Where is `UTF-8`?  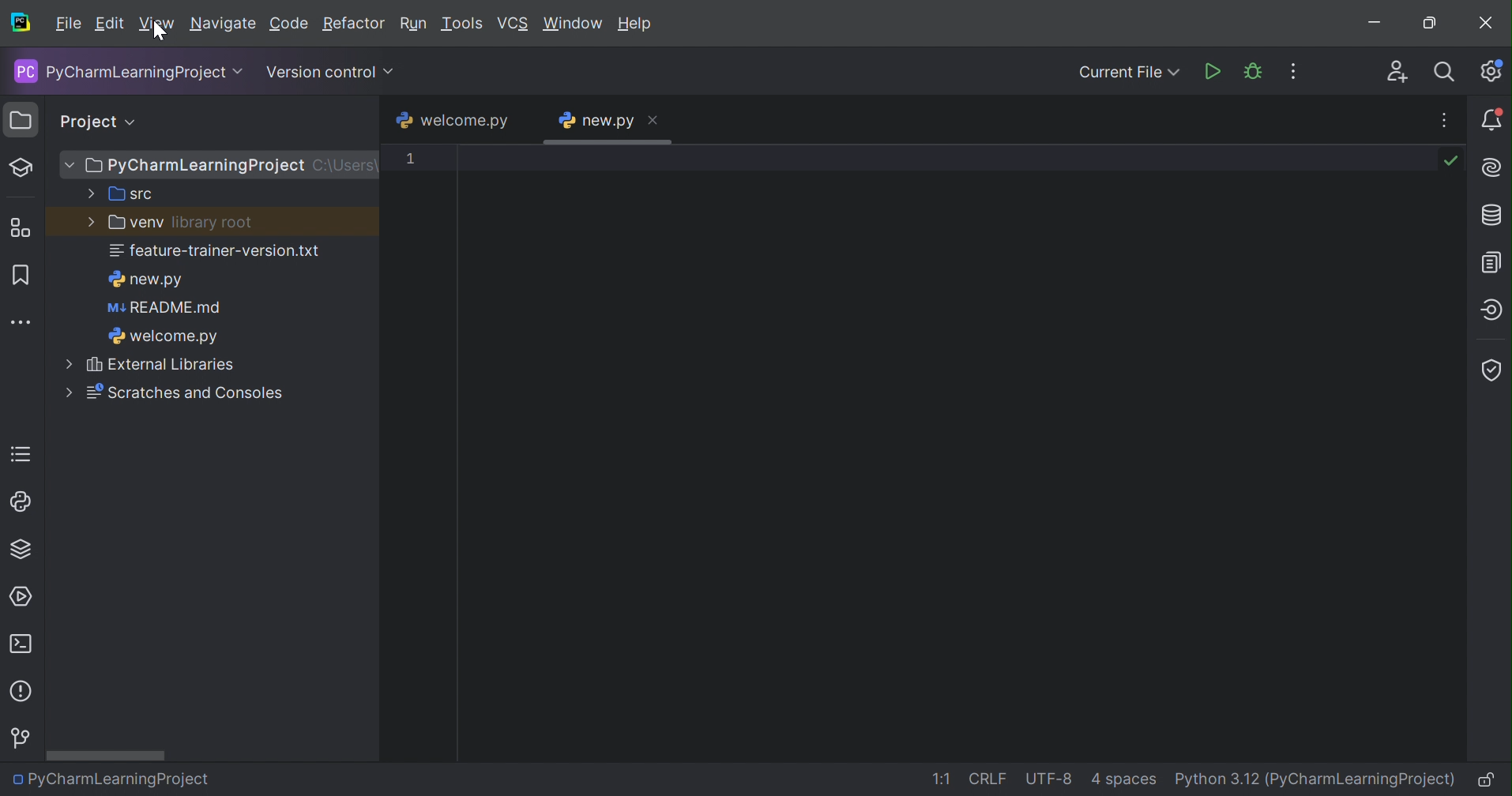
UTF-8 is located at coordinates (1053, 777).